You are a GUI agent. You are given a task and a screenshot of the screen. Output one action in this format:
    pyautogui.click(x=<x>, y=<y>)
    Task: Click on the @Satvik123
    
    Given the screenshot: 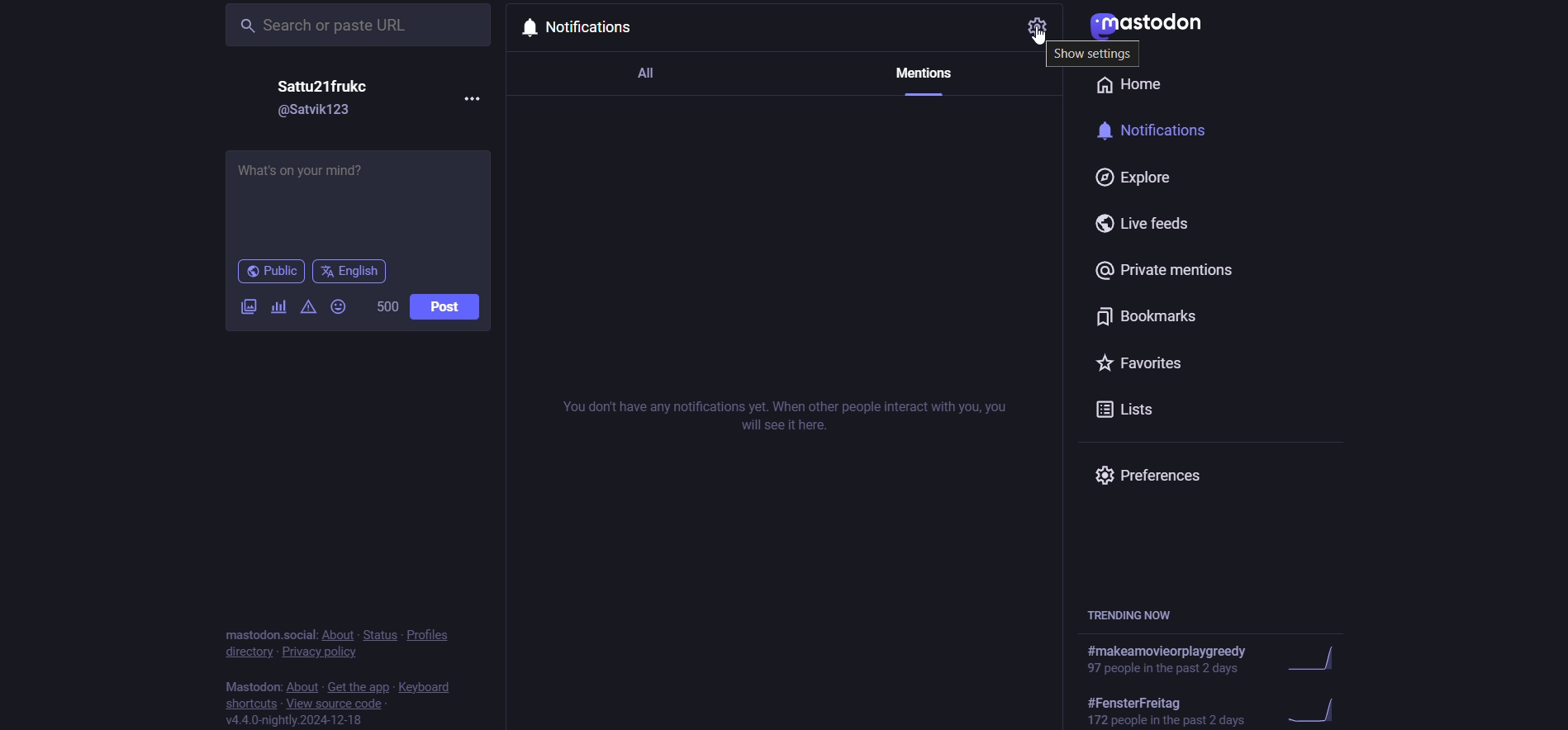 What is the action you would take?
    pyautogui.click(x=317, y=114)
    